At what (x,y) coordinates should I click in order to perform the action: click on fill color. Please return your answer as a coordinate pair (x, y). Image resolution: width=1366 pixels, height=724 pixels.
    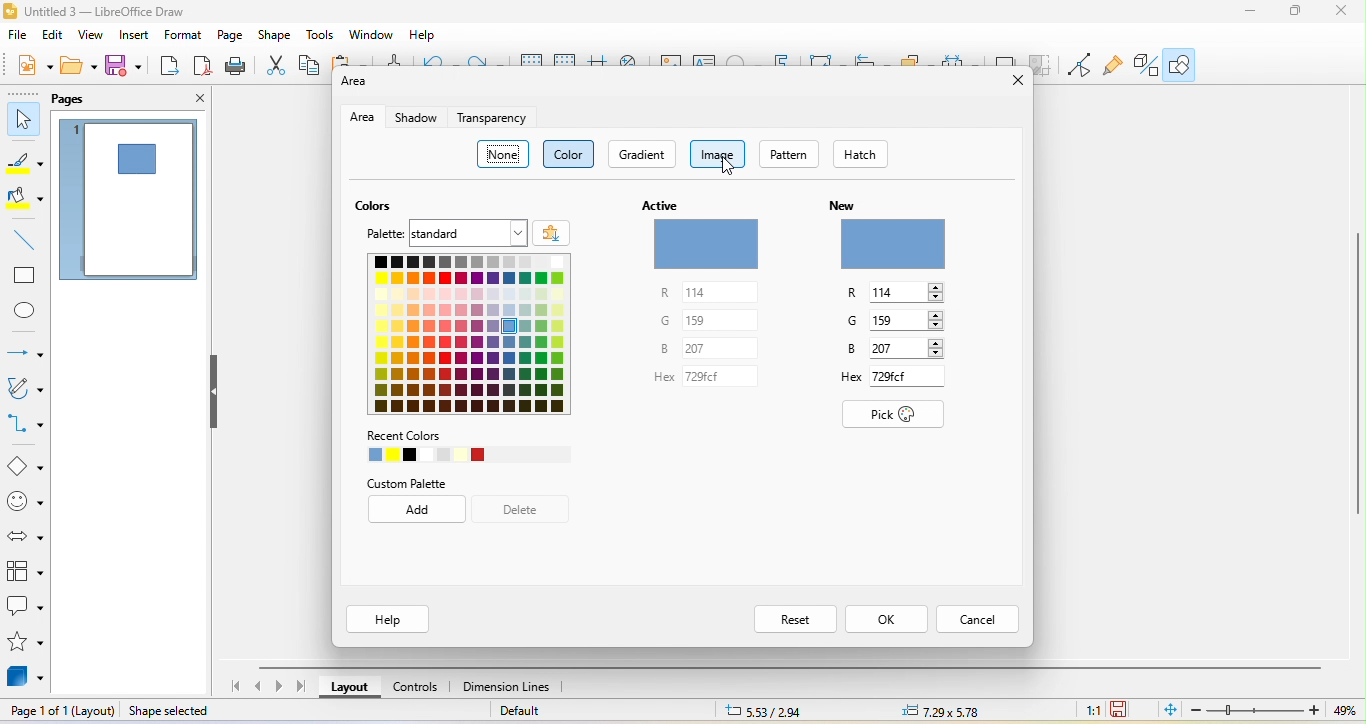
    Looking at the image, I should click on (26, 200).